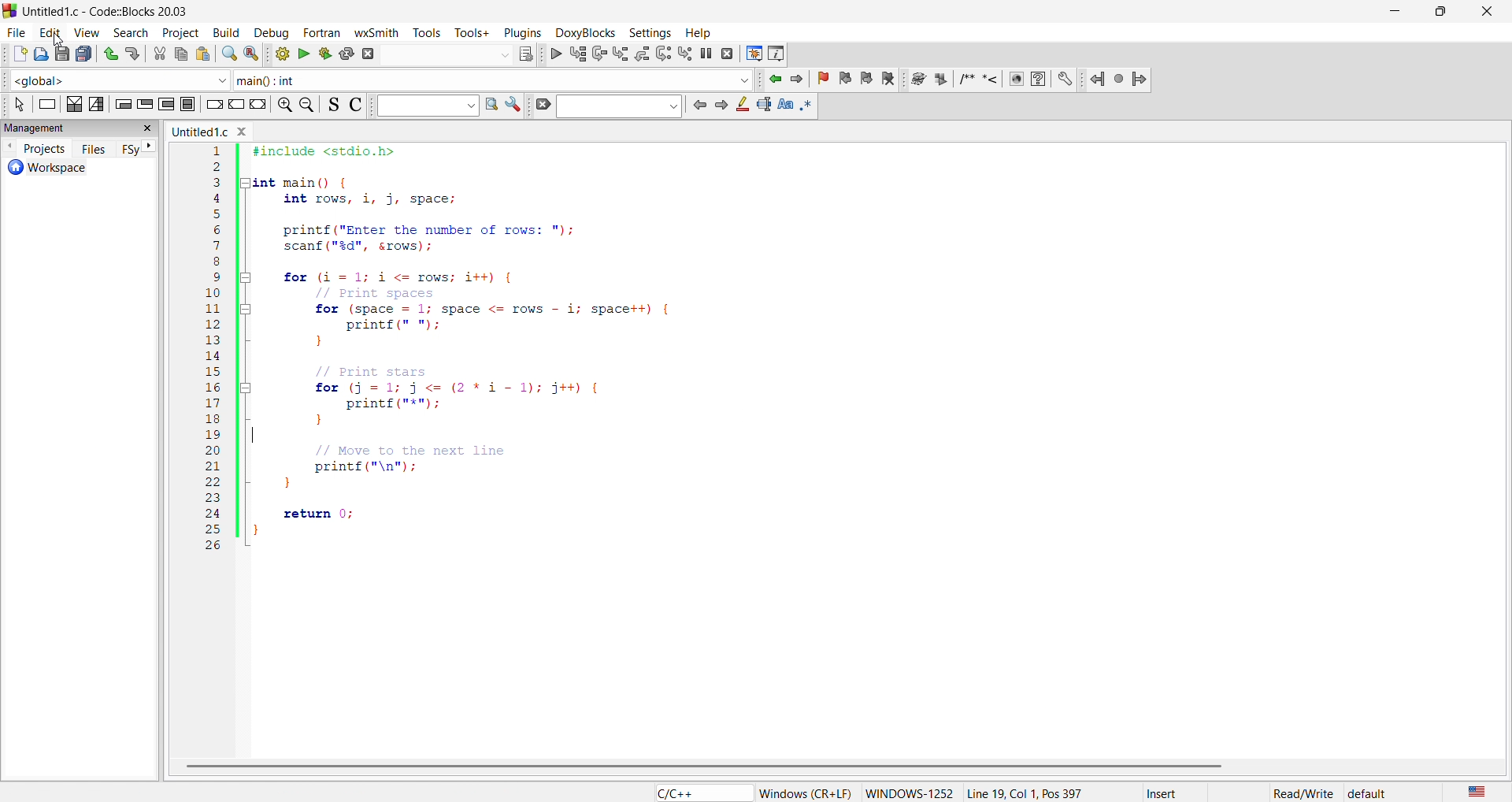  What do you see at coordinates (181, 54) in the screenshot?
I see `copy` at bounding box center [181, 54].